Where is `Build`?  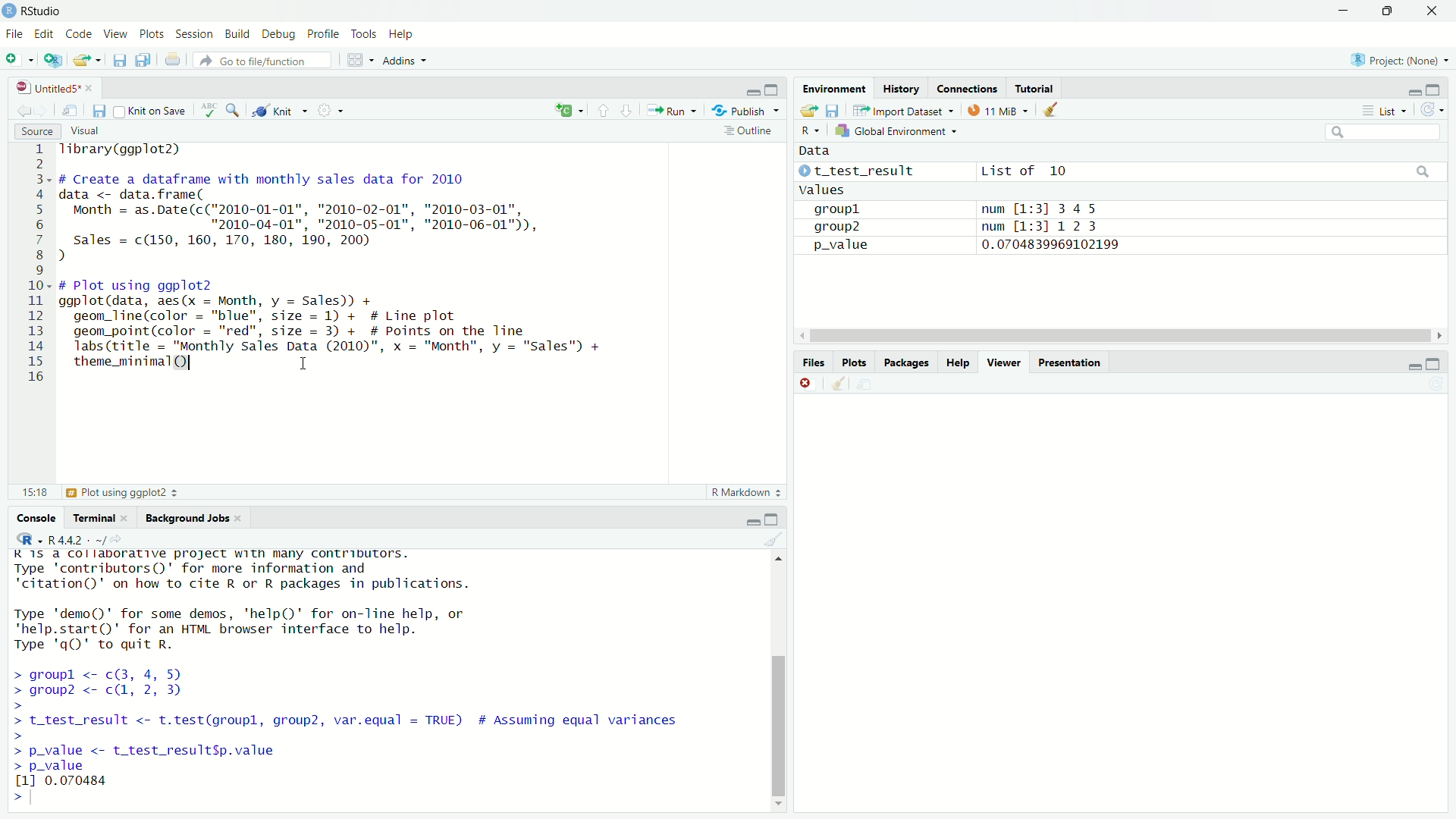 Build is located at coordinates (237, 31).